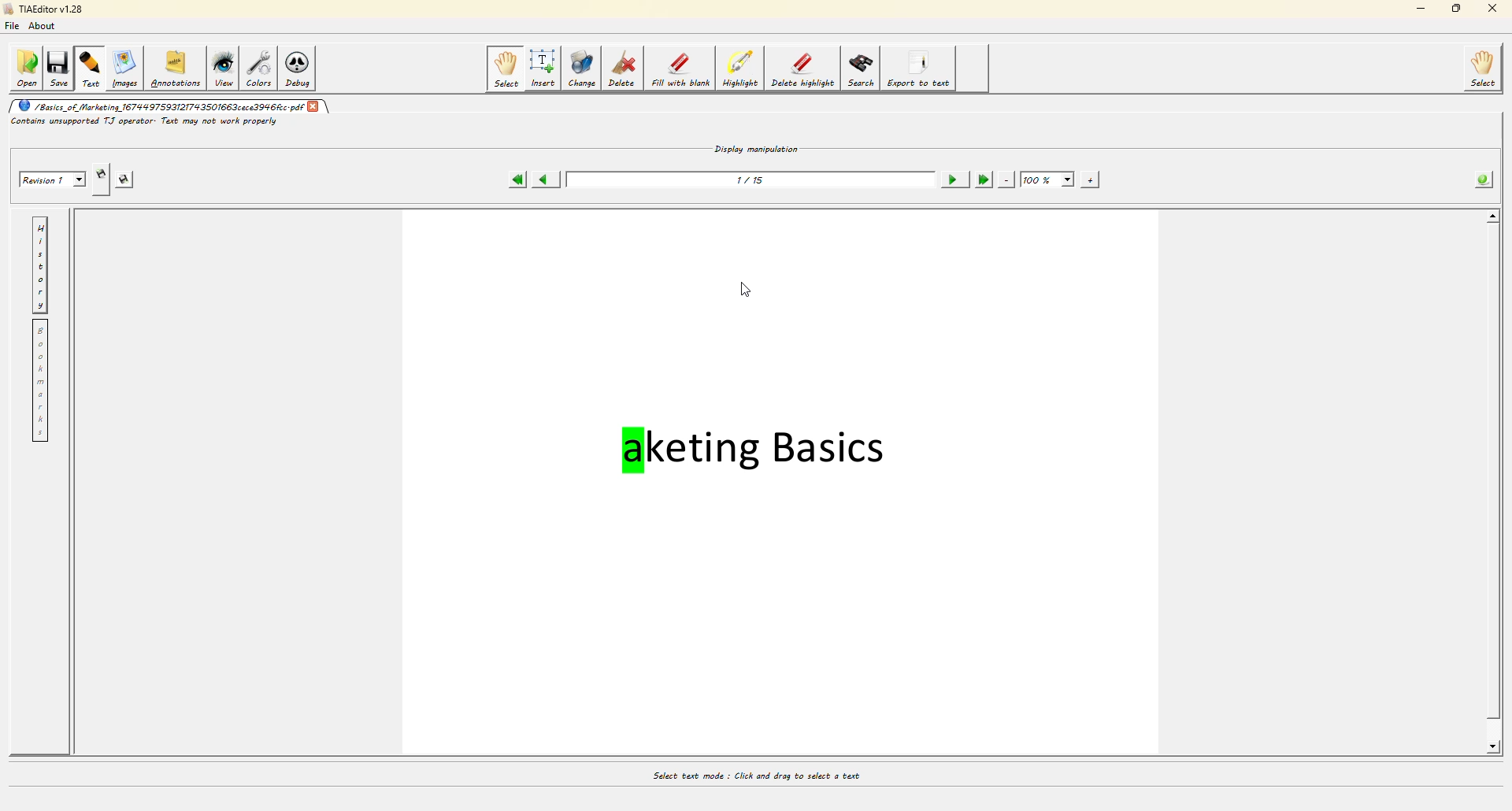 The width and height of the screenshot is (1512, 811). Describe the element at coordinates (750, 290) in the screenshot. I see `cursor` at that location.